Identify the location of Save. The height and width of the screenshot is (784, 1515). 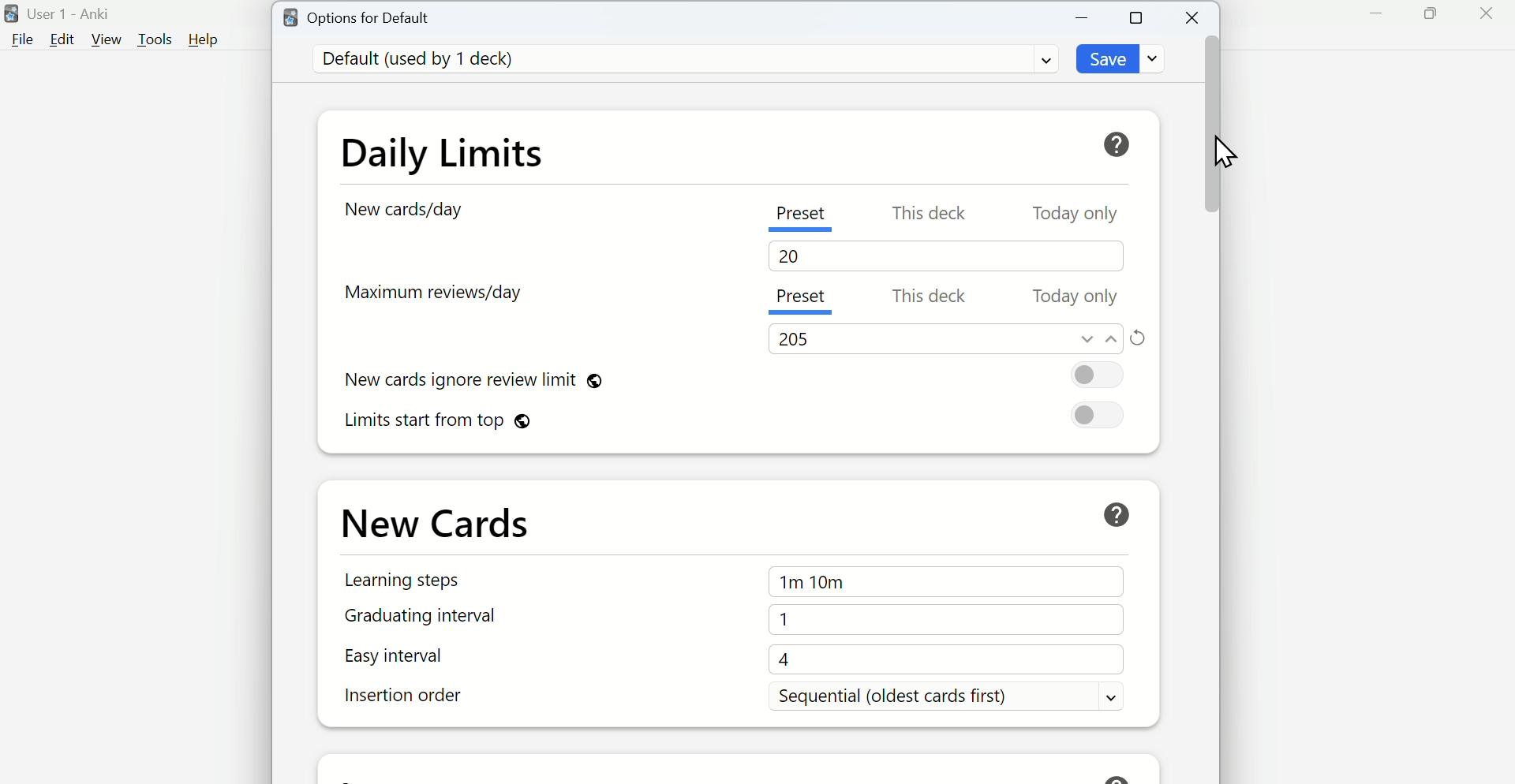
(1123, 58).